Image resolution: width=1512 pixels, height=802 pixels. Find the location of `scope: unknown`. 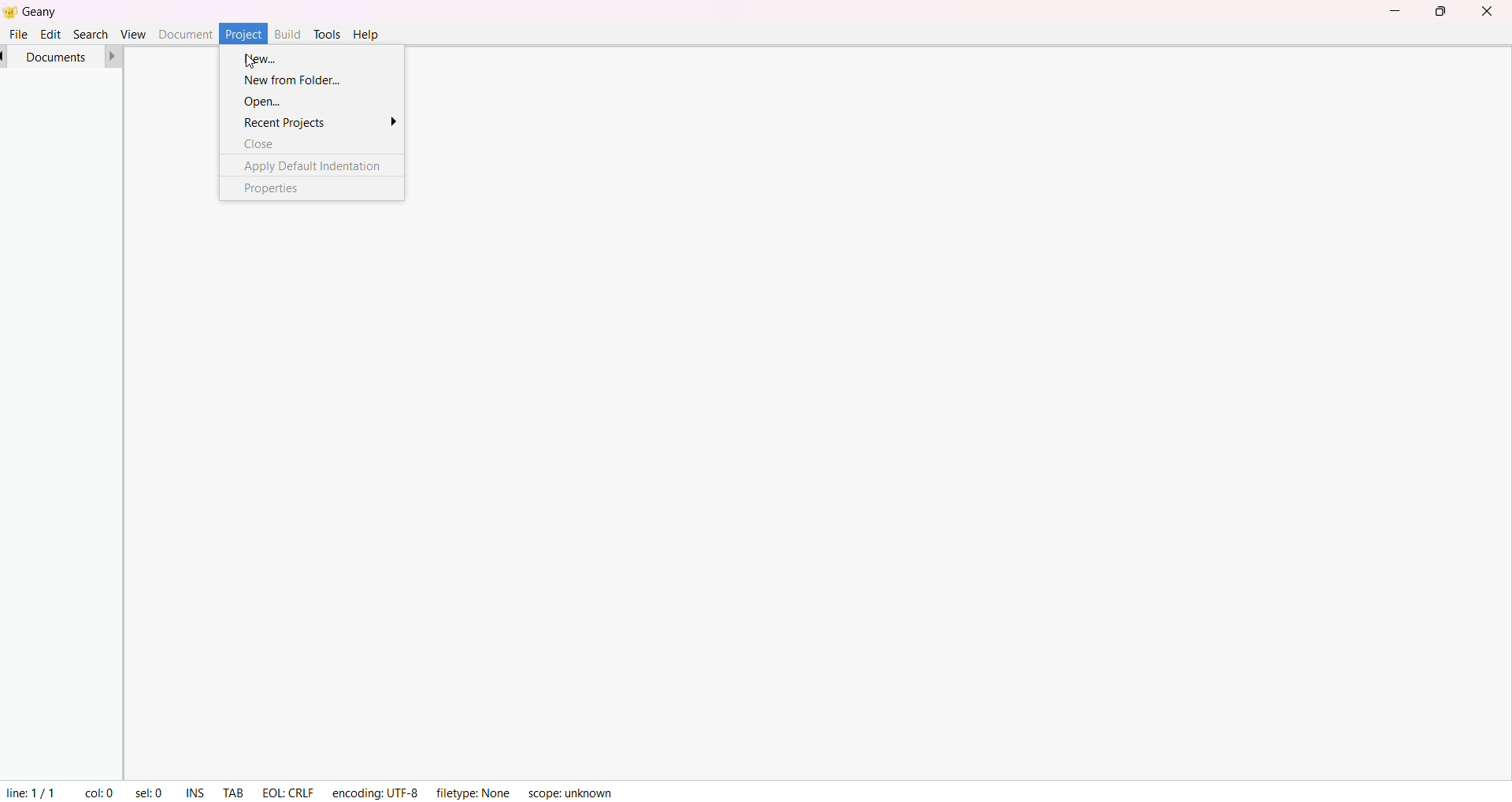

scope: unknown is located at coordinates (569, 792).